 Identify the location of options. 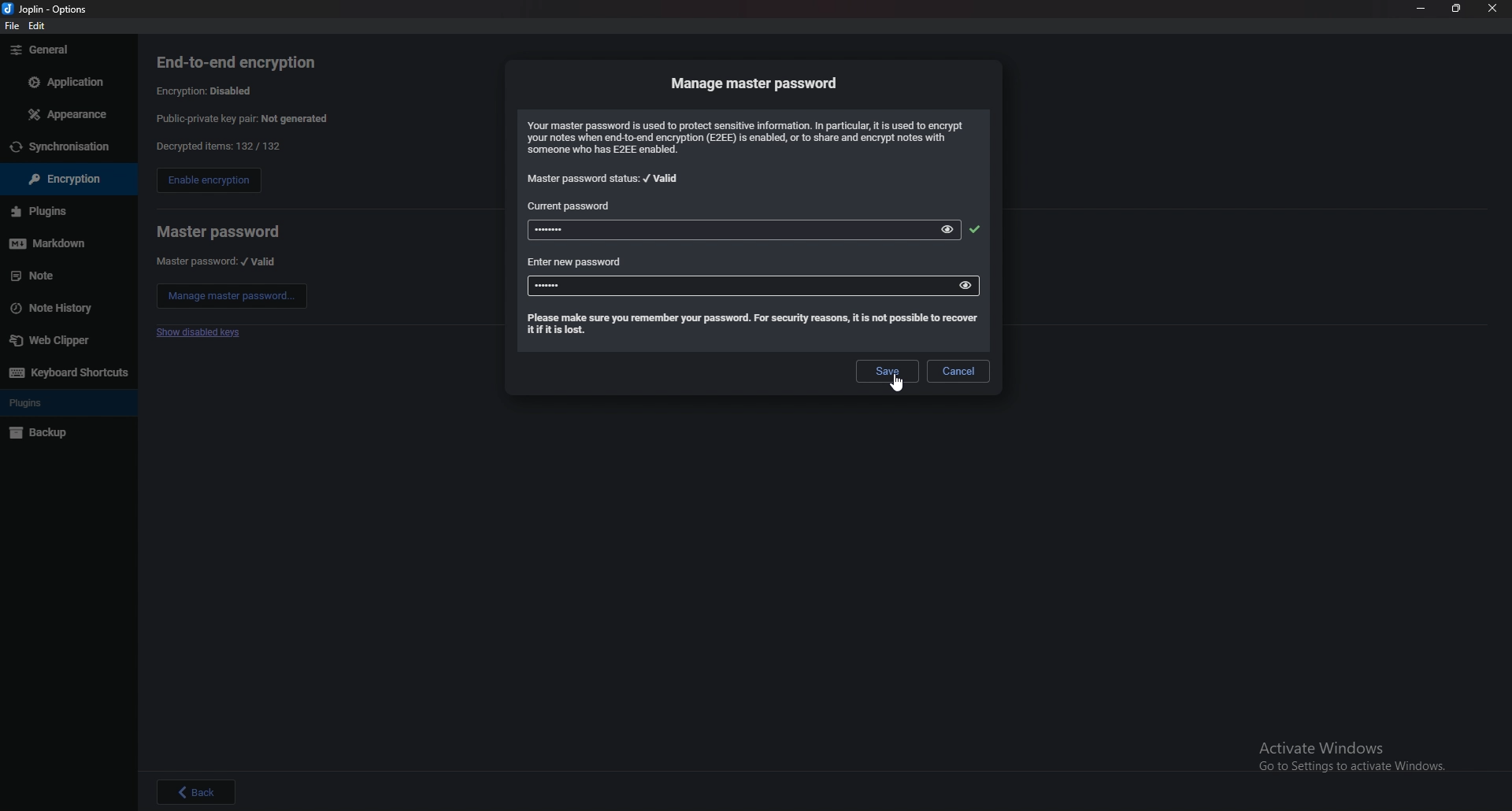
(49, 8).